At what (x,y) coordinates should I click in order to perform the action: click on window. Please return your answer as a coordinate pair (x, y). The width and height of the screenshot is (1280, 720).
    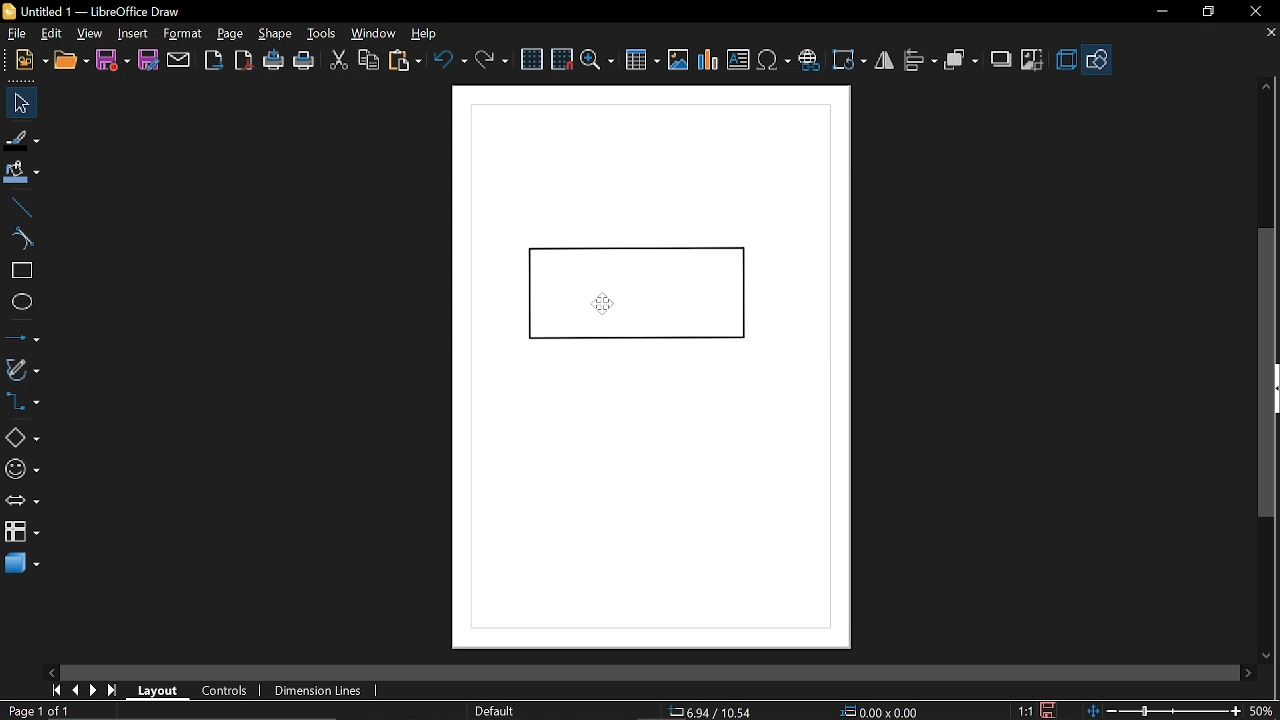
    Looking at the image, I should click on (376, 33).